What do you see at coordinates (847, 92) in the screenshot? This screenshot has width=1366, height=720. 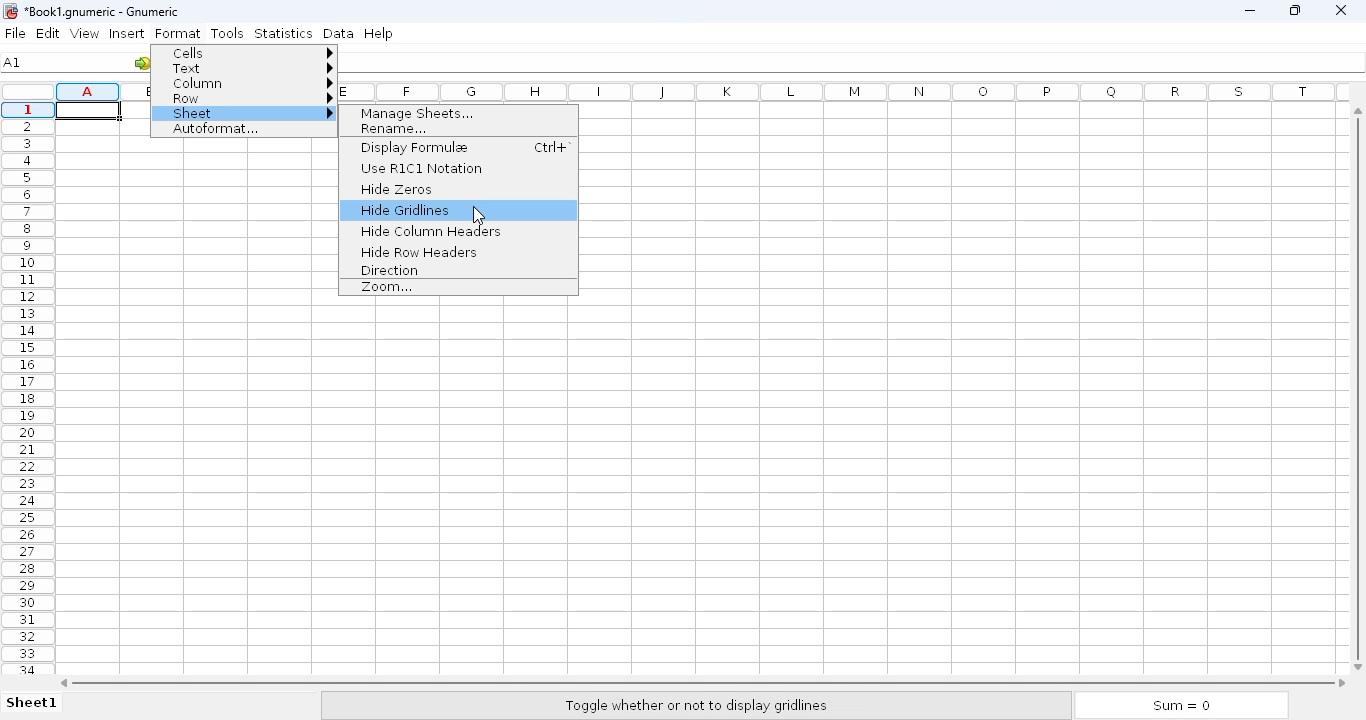 I see `columns` at bounding box center [847, 92].